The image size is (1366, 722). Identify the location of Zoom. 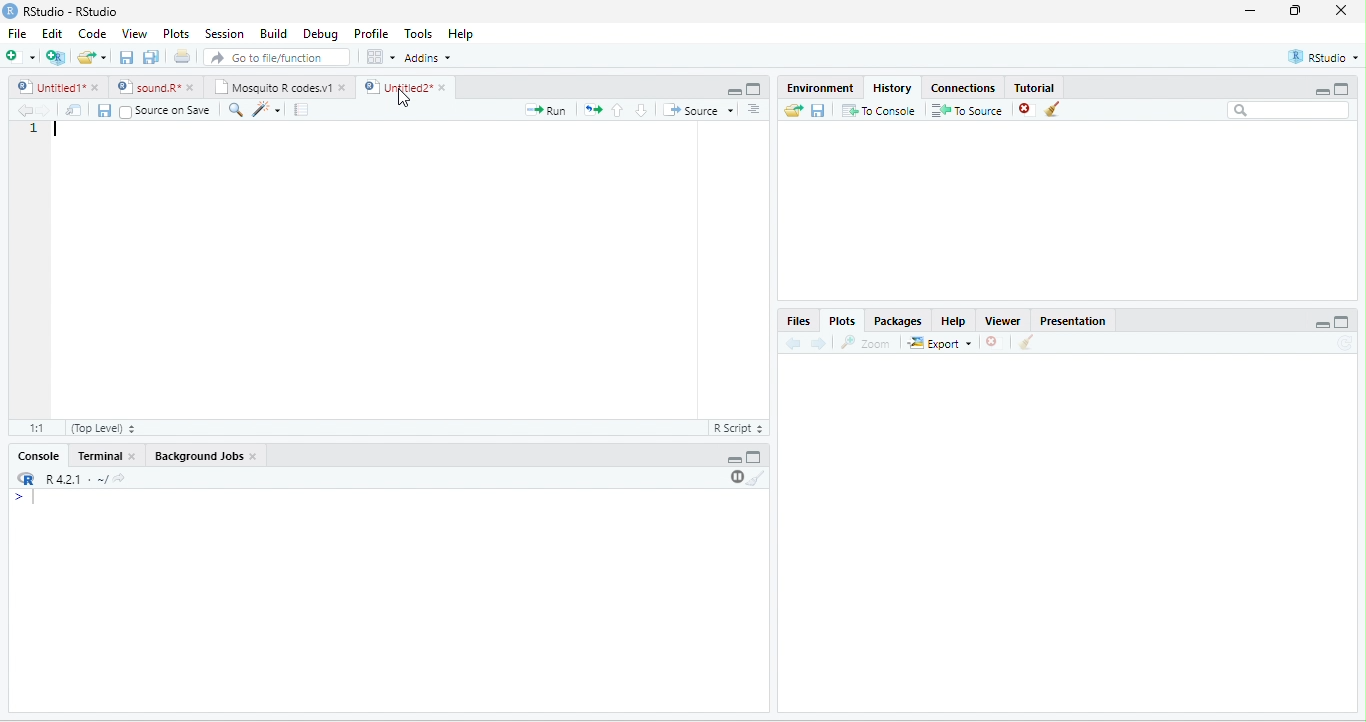
(864, 343).